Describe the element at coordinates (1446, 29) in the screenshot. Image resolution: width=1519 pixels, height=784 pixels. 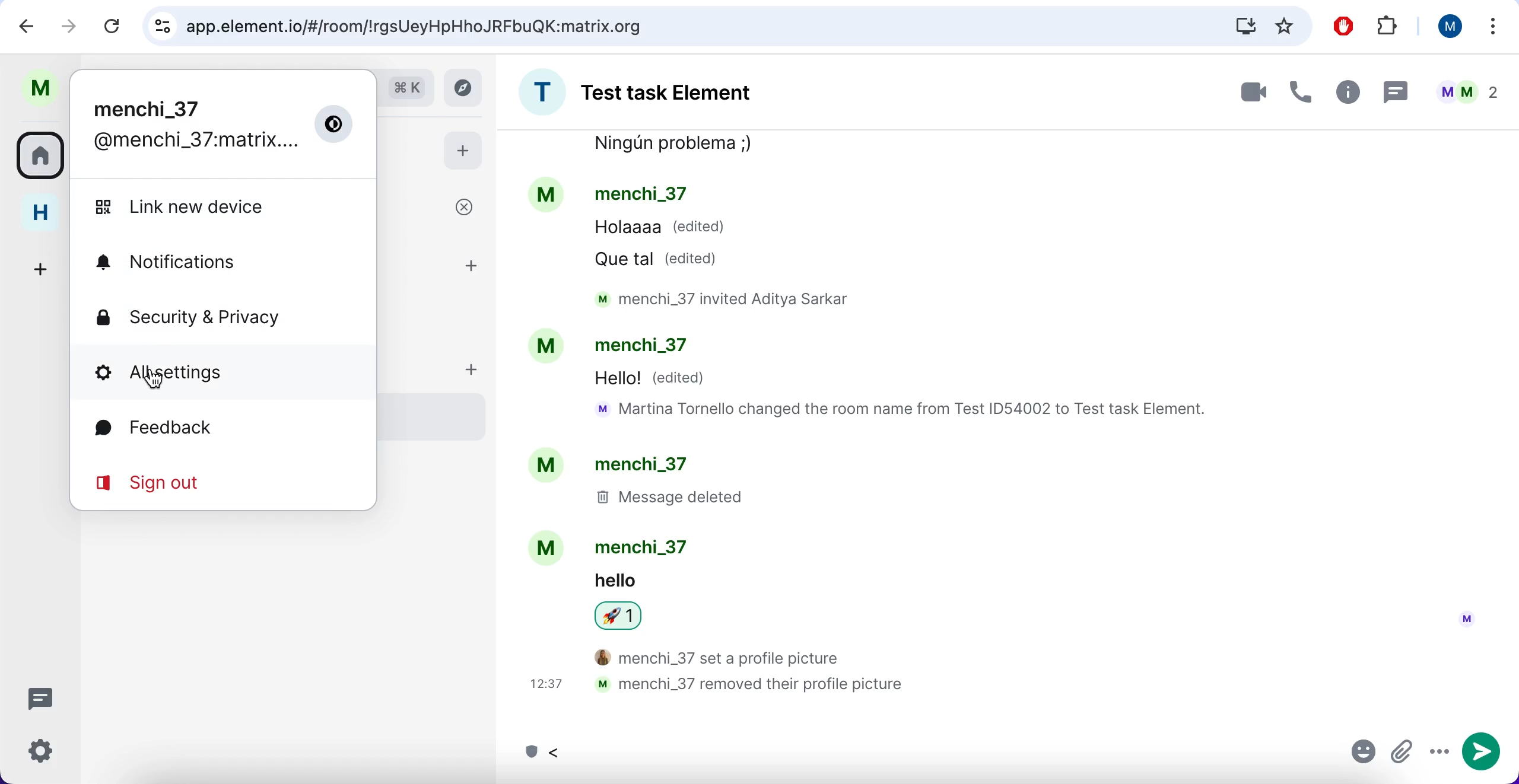
I see `user` at that location.